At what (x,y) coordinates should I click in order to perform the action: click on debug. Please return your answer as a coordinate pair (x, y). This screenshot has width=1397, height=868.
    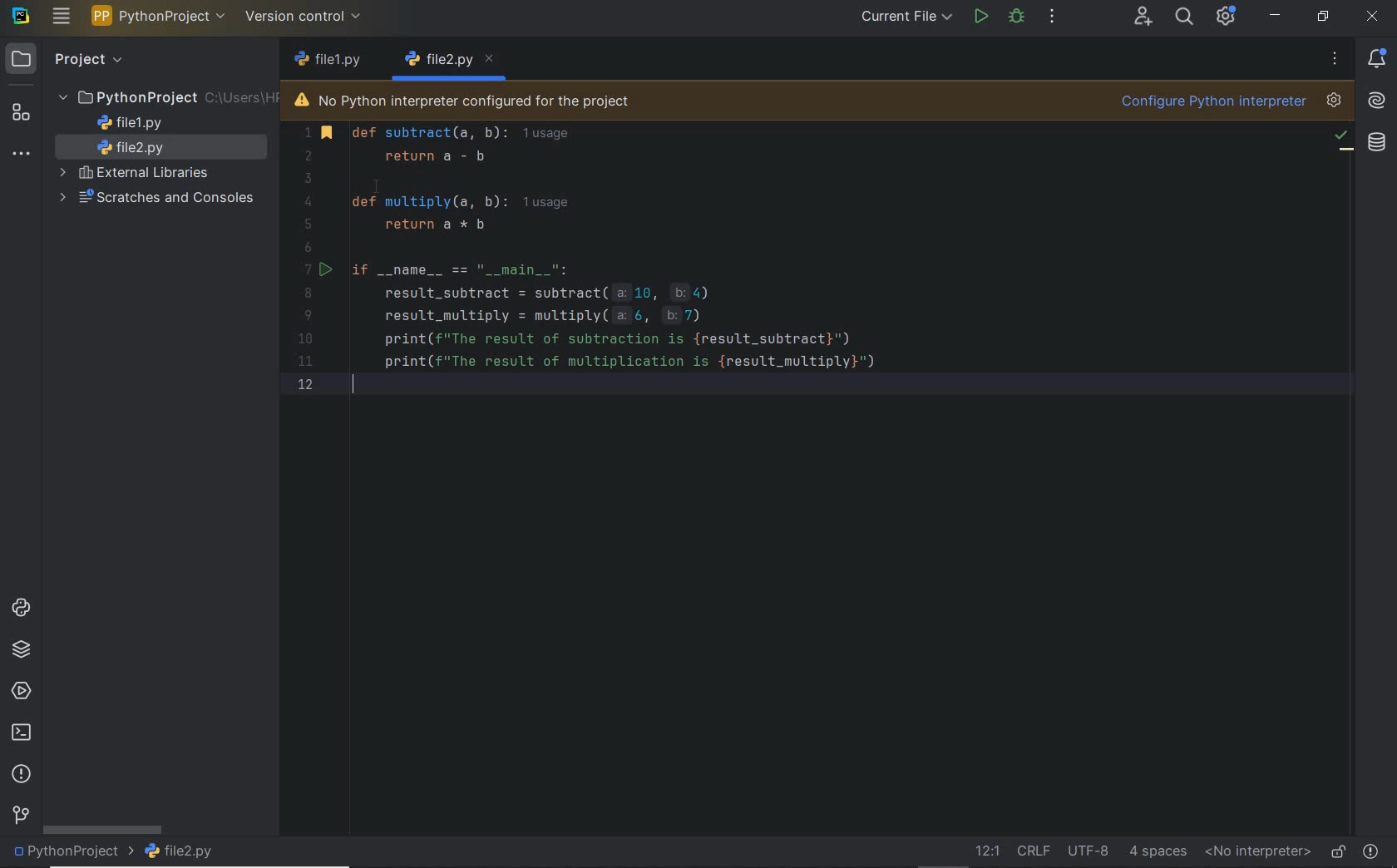
    Looking at the image, I should click on (1016, 19).